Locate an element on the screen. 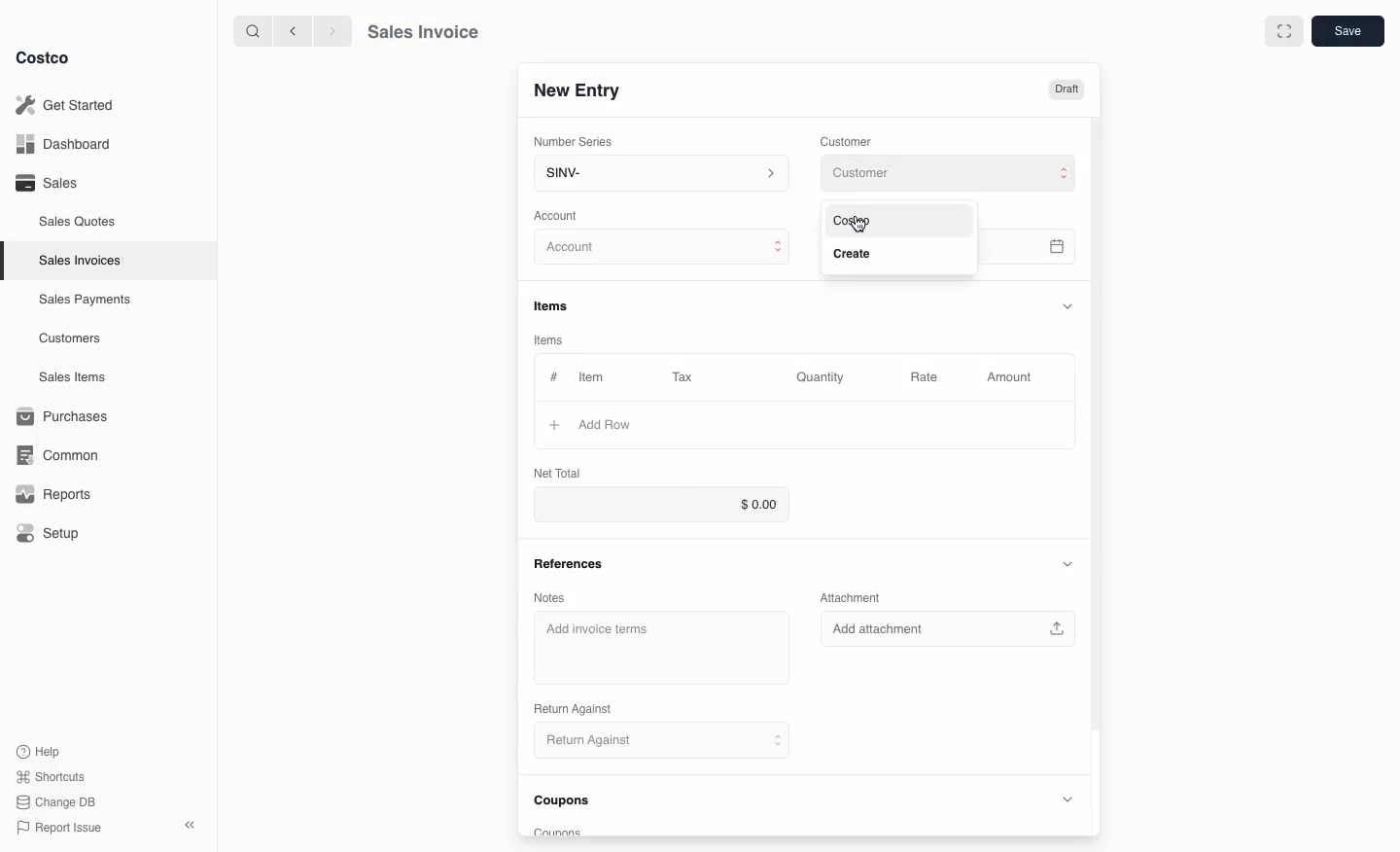  Hashtag is located at coordinates (553, 377).